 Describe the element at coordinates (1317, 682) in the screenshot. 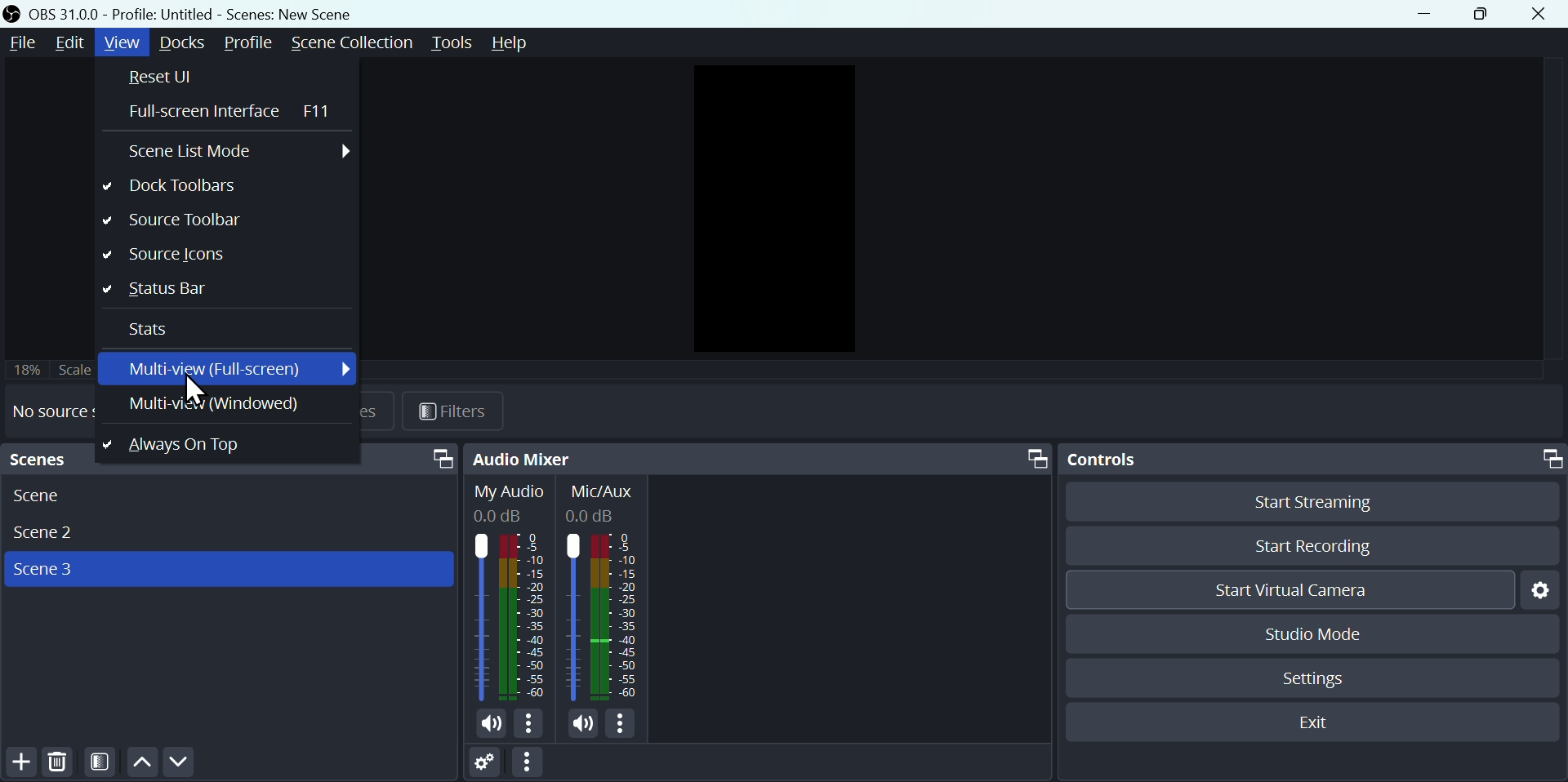

I see `Settings` at that location.